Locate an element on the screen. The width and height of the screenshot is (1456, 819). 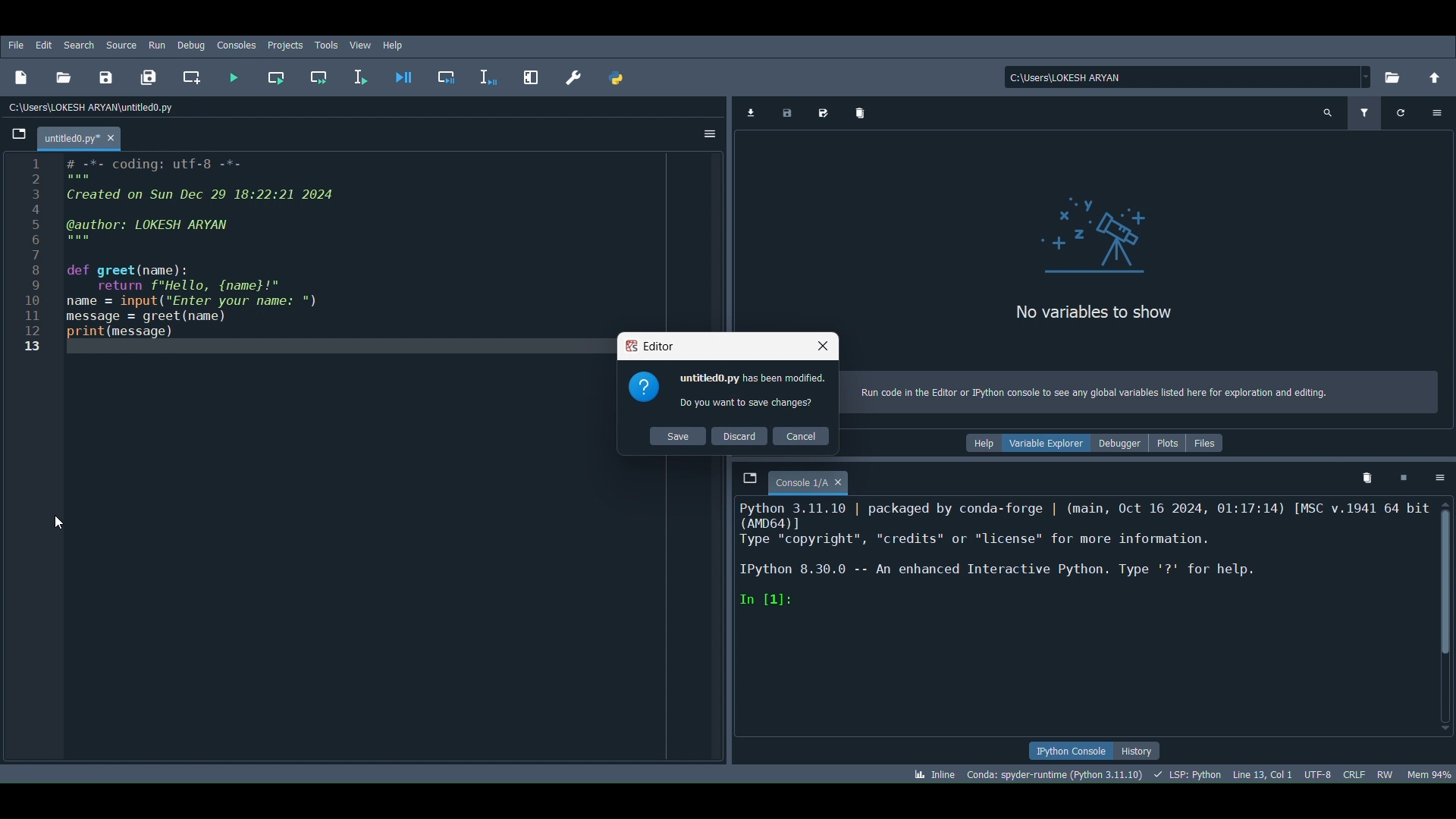
Debugger is located at coordinates (1122, 444).